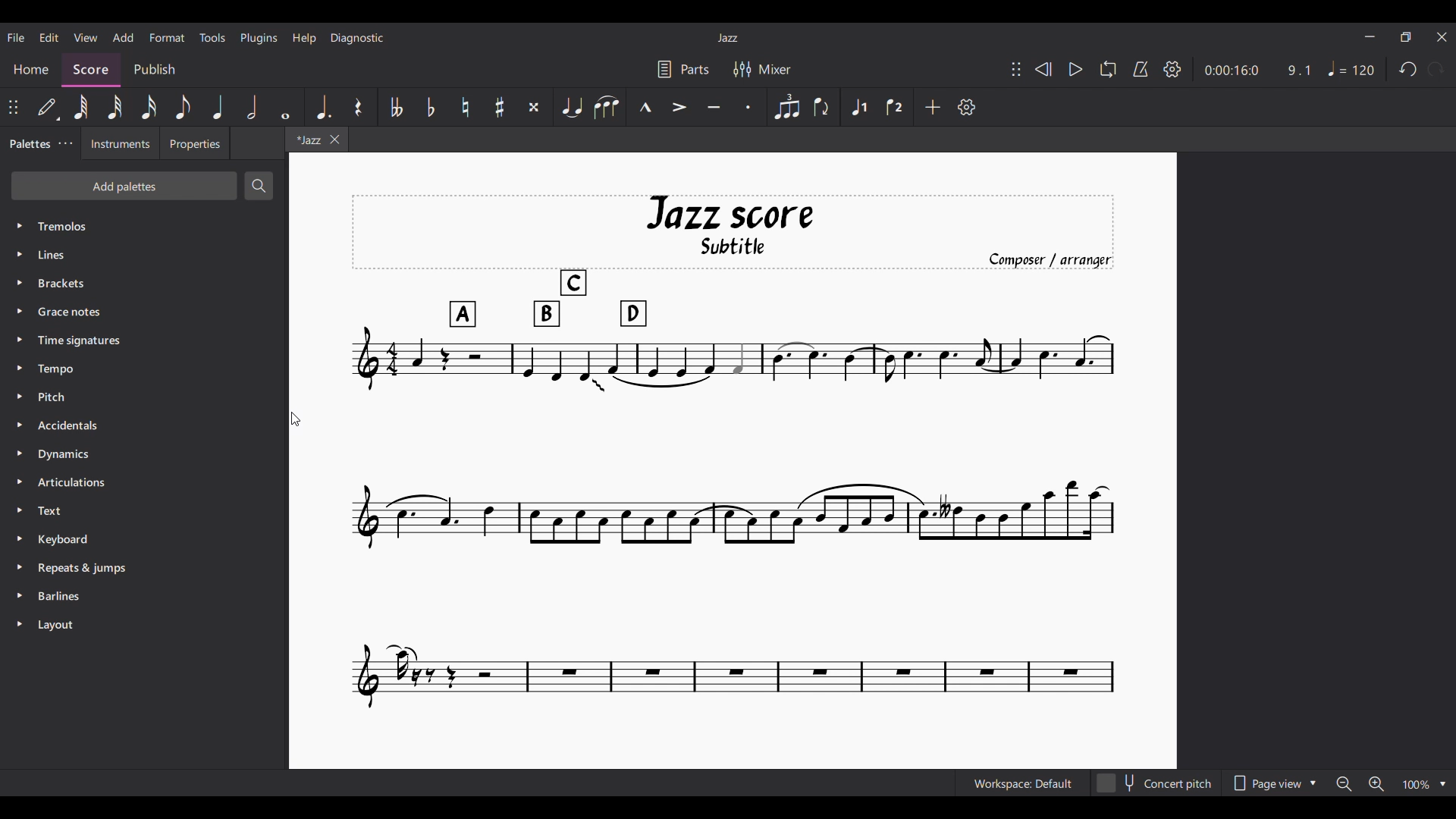  Describe the element at coordinates (500, 107) in the screenshot. I see `Toggle sharp` at that location.